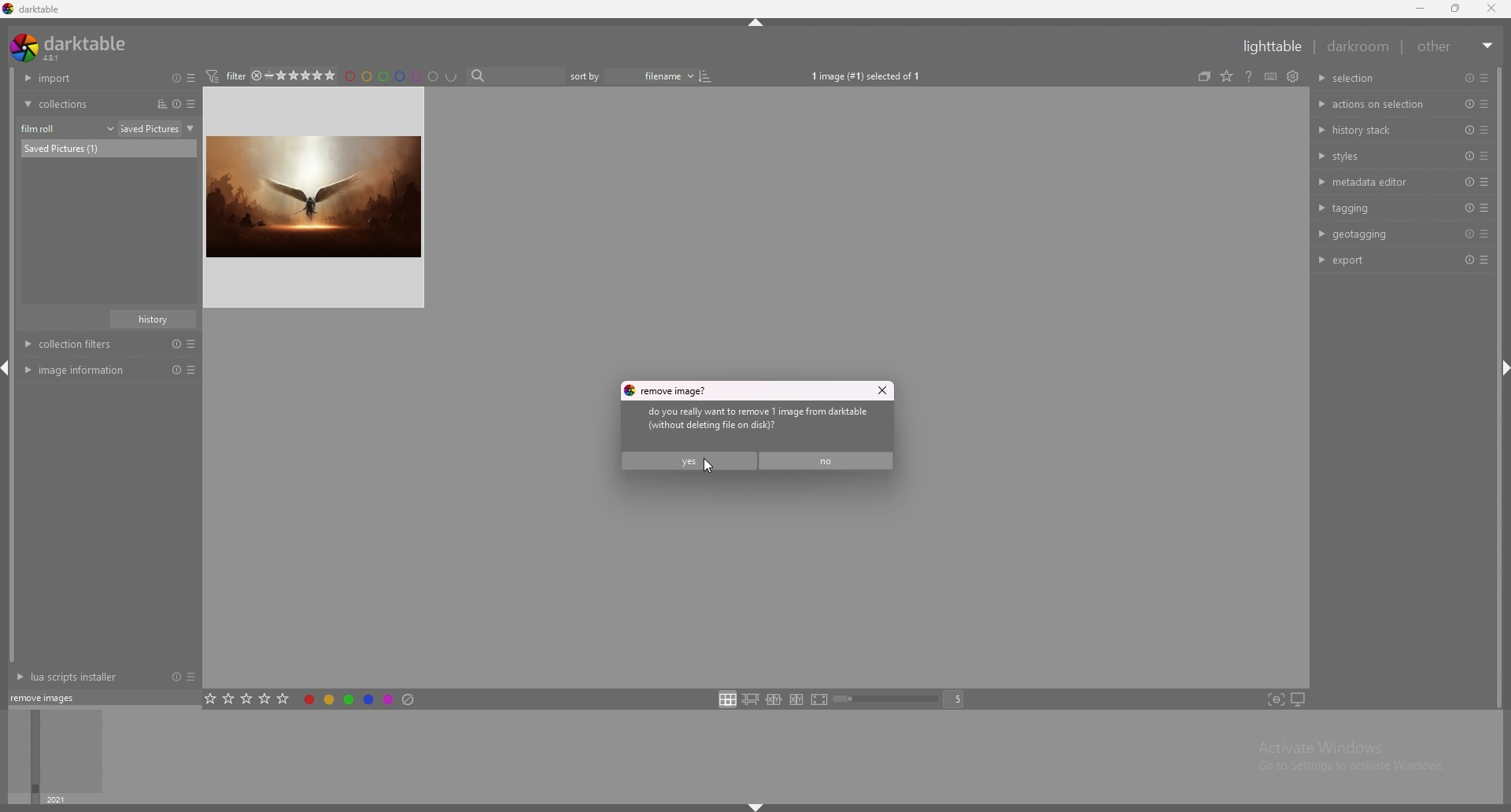  What do you see at coordinates (190, 696) in the screenshot?
I see `presets` at bounding box center [190, 696].